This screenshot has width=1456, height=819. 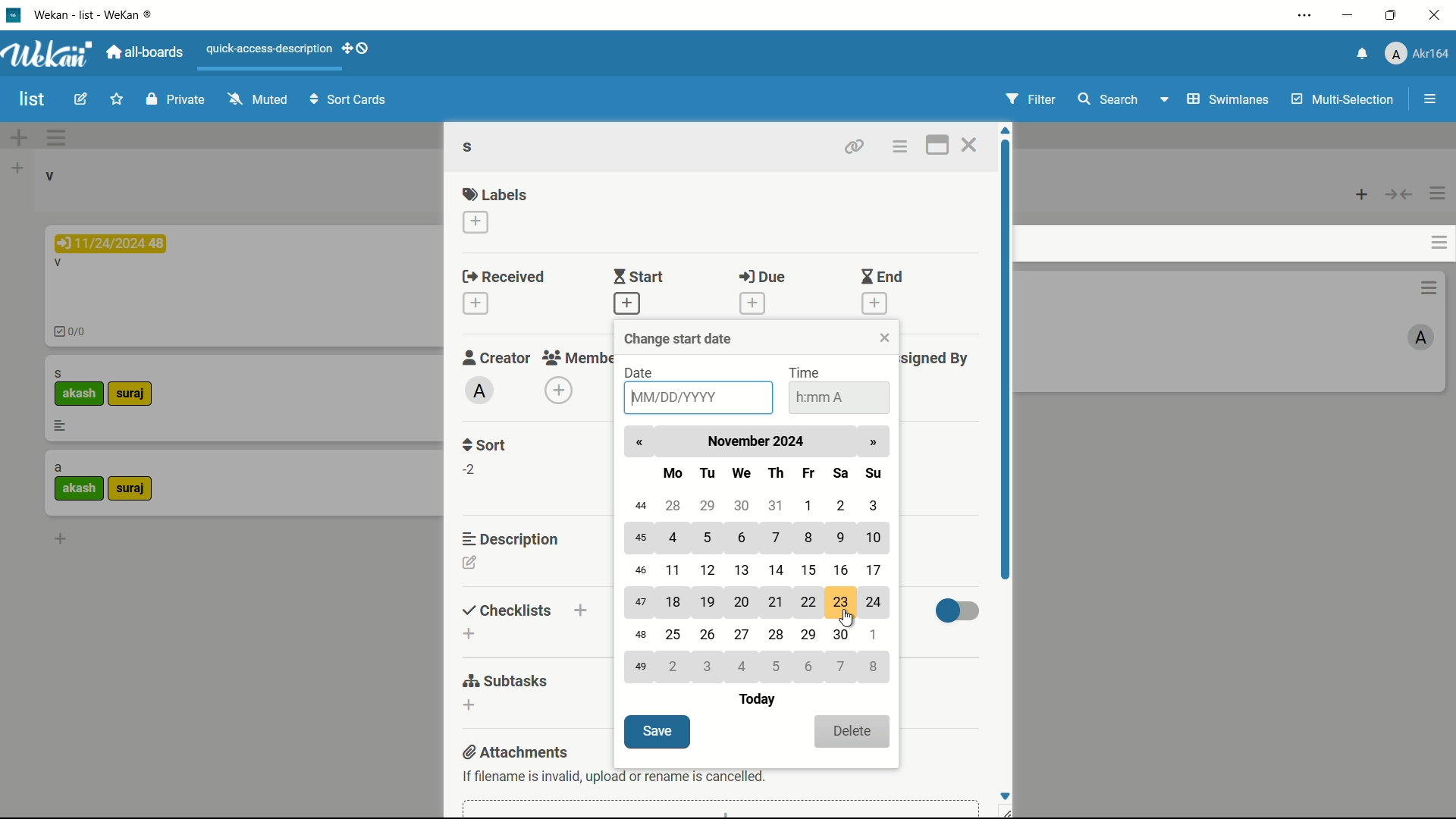 I want to click on minimize, so click(x=1348, y=17).